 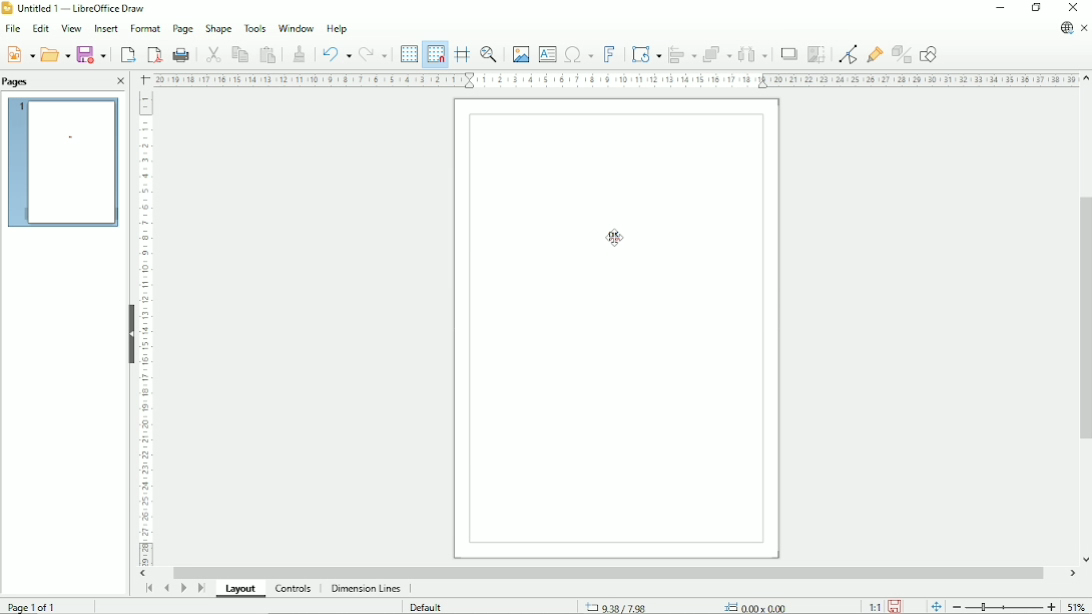 I want to click on Align objects, so click(x=681, y=54).